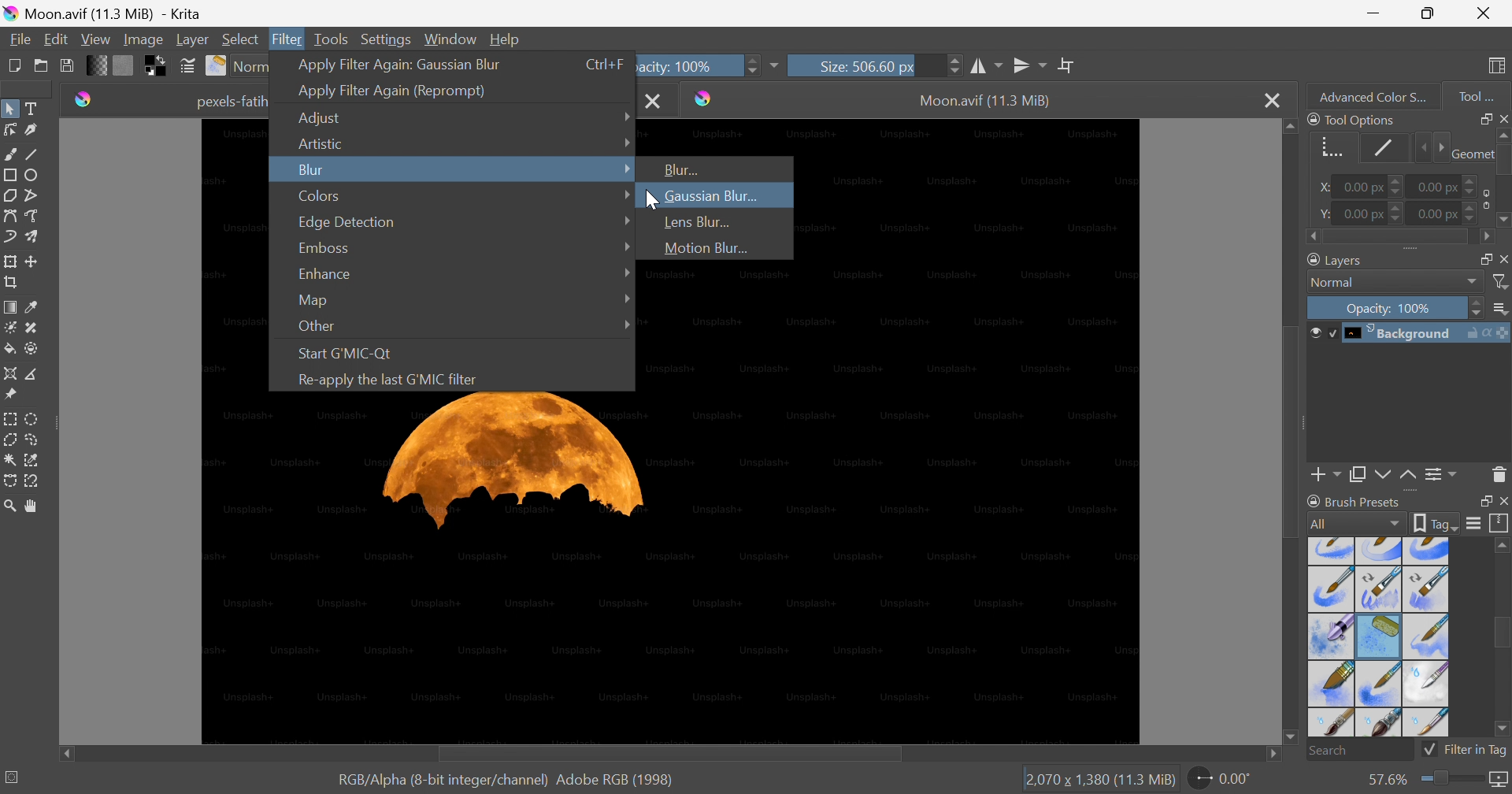 Image resolution: width=1512 pixels, height=794 pixels. Describe the element at coordinates (1503, 633) in the screenshot. I see `Scroll bar` at that location.